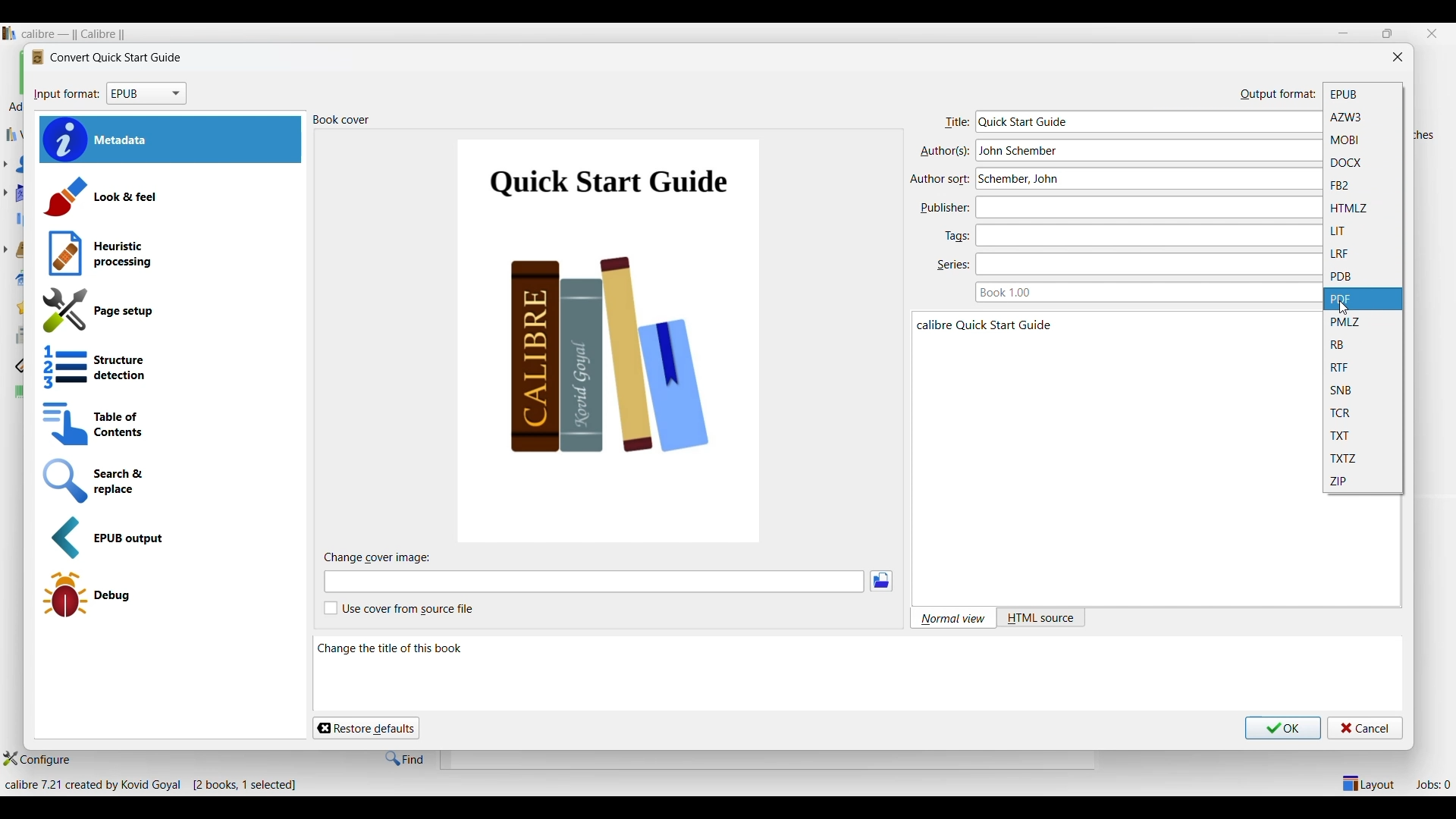 This screenshot has height=819, width=1456. Describe the element at coordinates (1363, 322) in the screenshot. I see `PMLZ` at that location.